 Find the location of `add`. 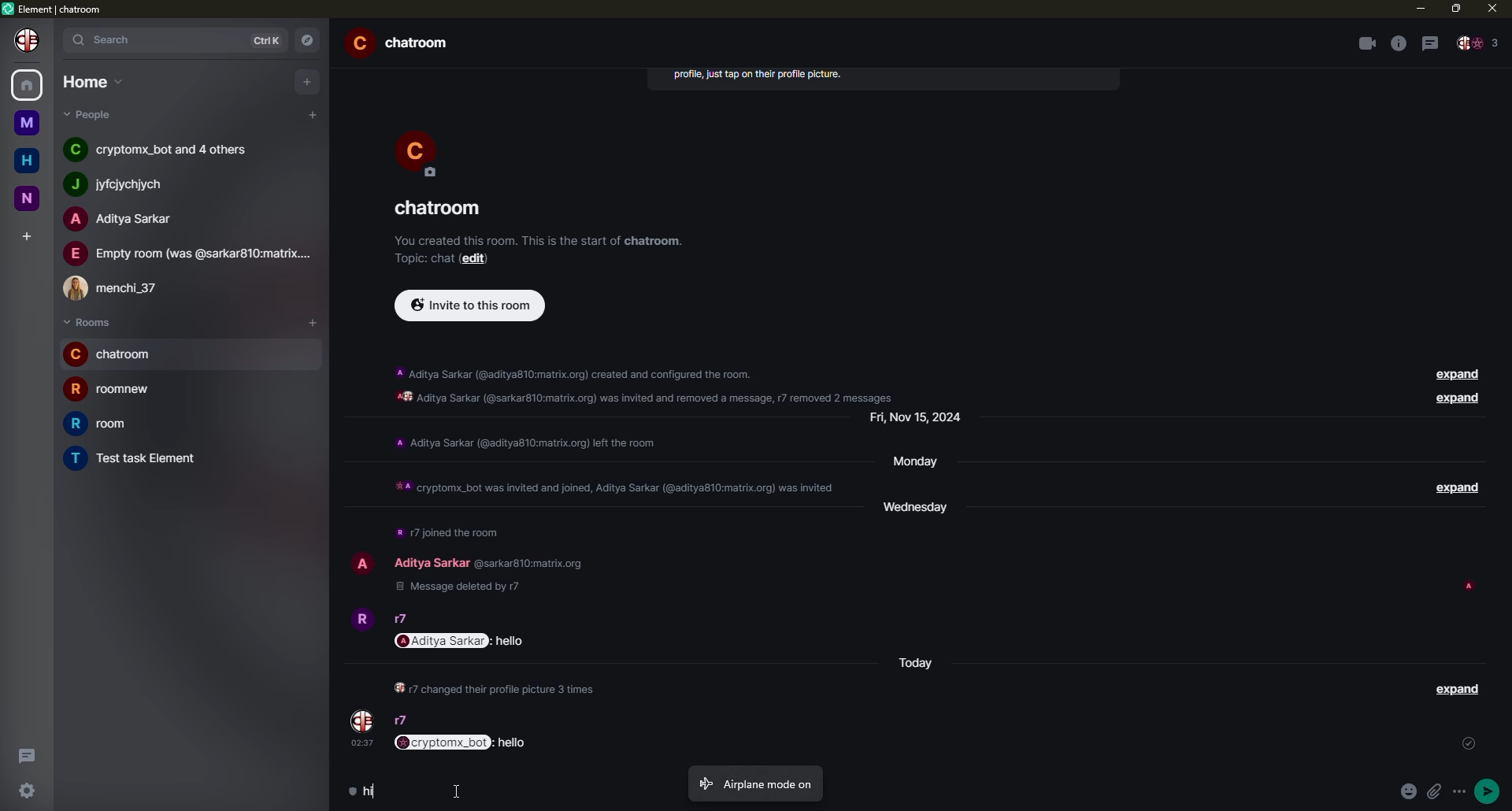

add is located at coordinates (312, 115).